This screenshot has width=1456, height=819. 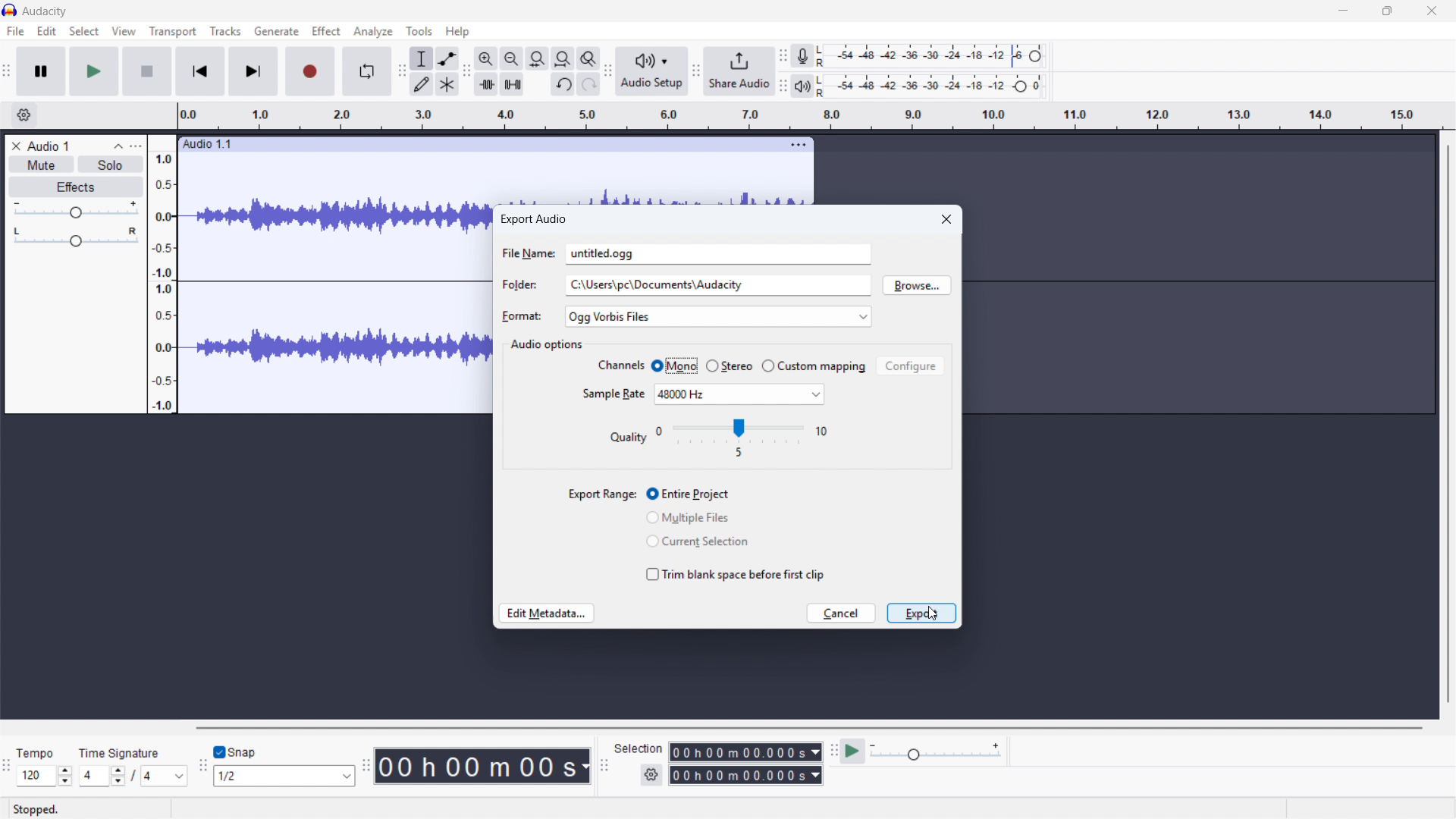 I want to click on channels, so click(x=620, y=367).